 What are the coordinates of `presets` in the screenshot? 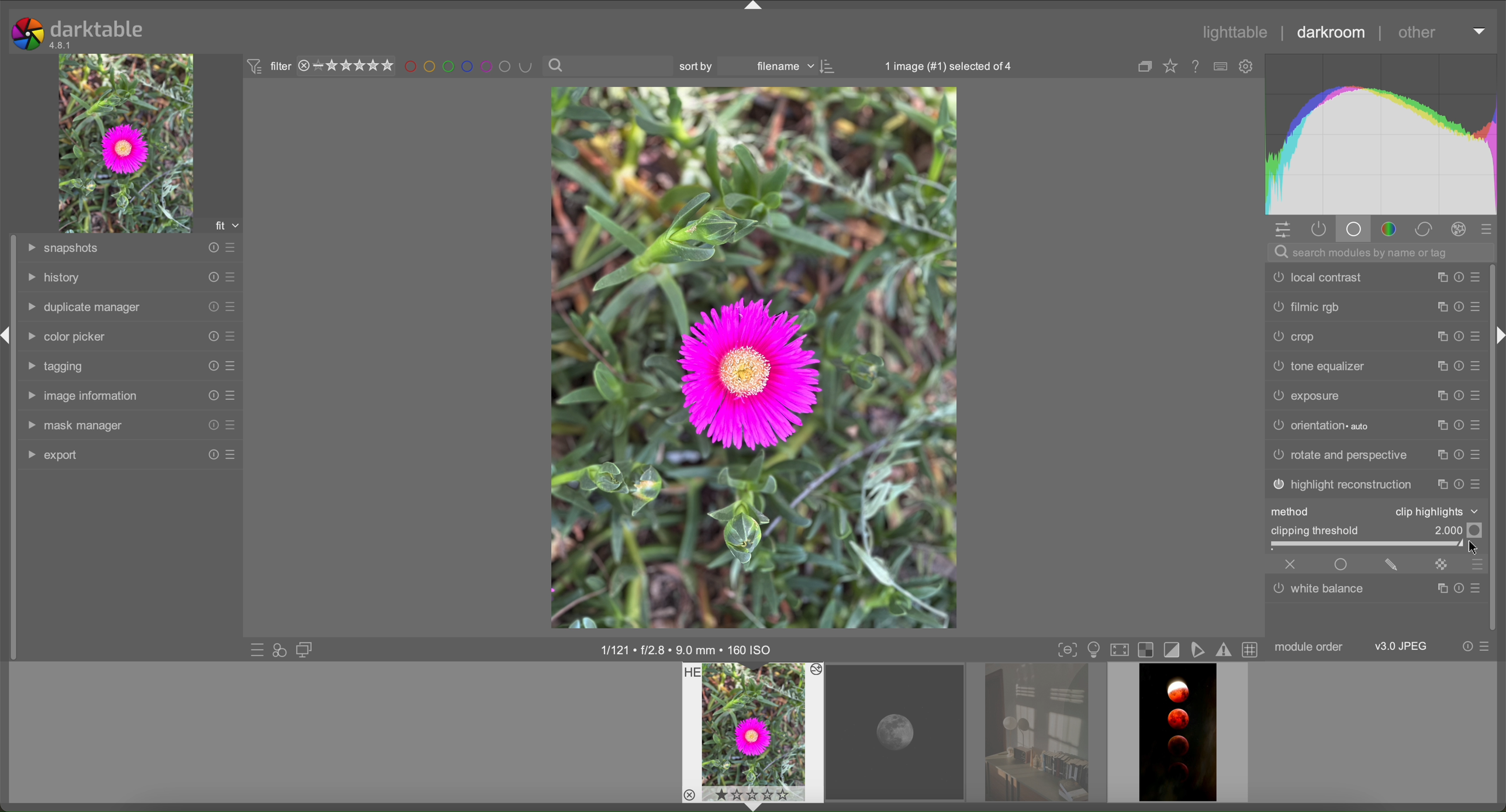 It's located at (1477, 366).